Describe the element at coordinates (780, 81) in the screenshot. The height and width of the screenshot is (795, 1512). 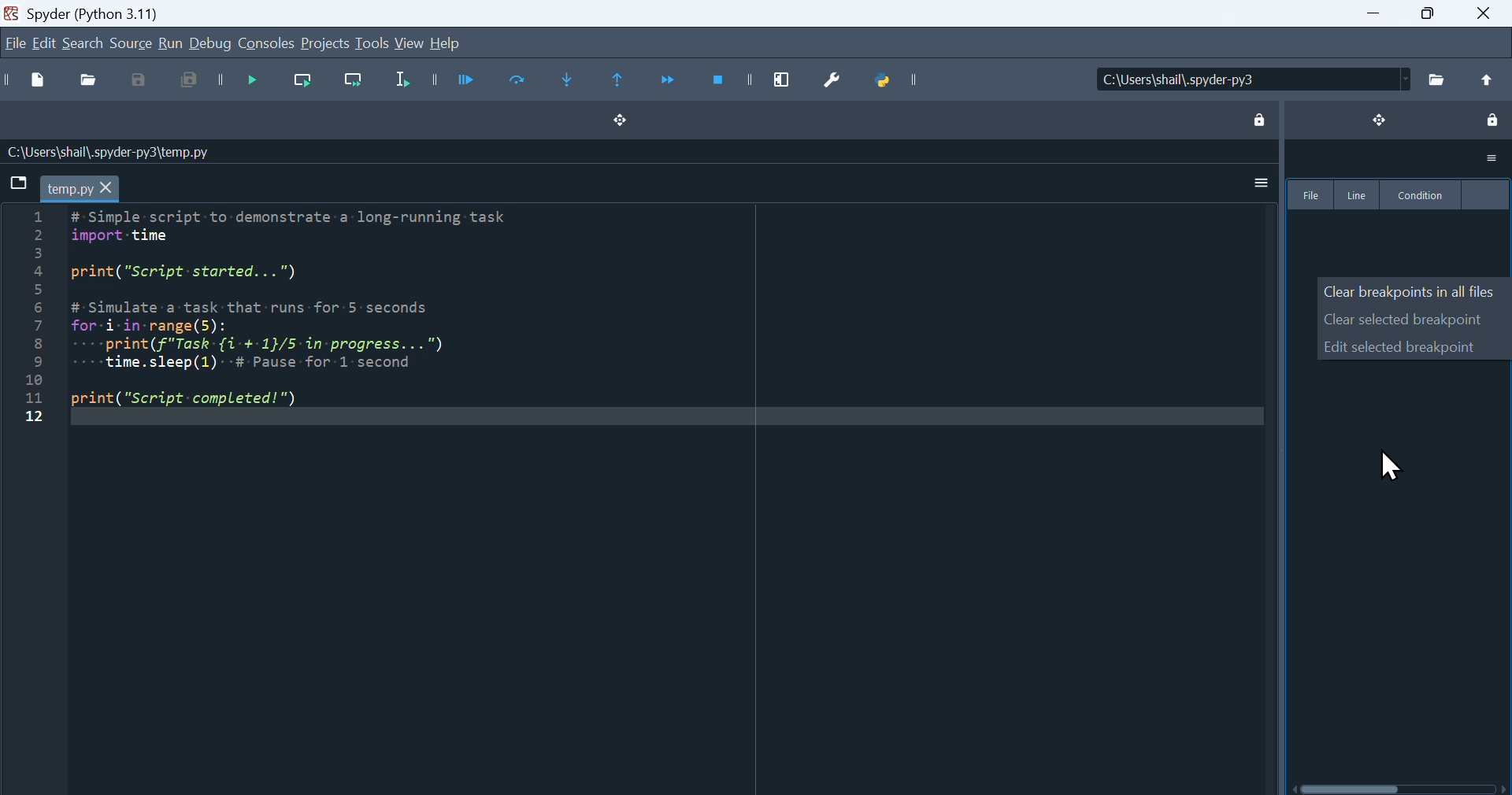
I see `maximise current pane` at that location.